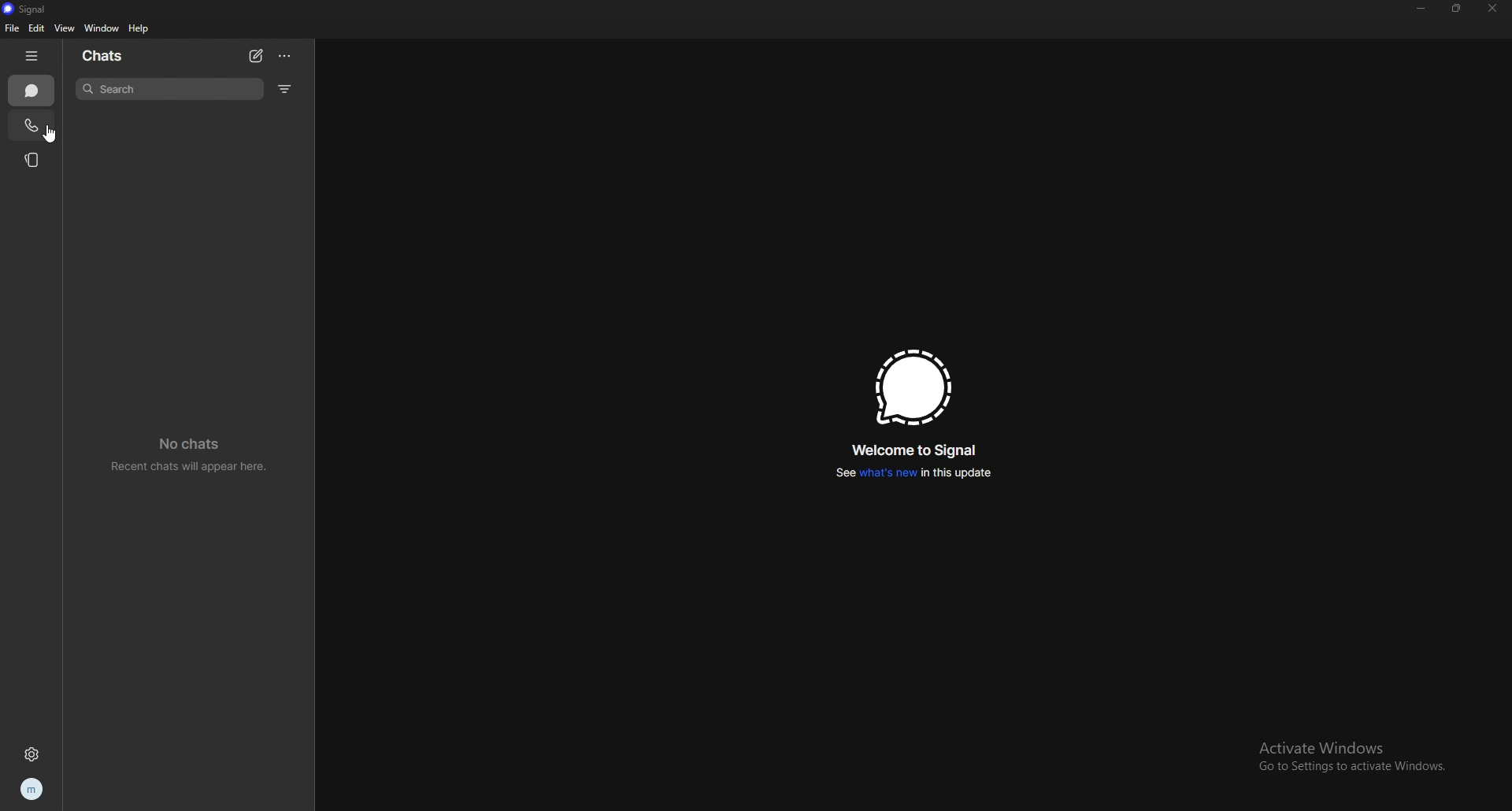 This screenshot has width=1512, height=811. I want to click on file, so click(11, 28).